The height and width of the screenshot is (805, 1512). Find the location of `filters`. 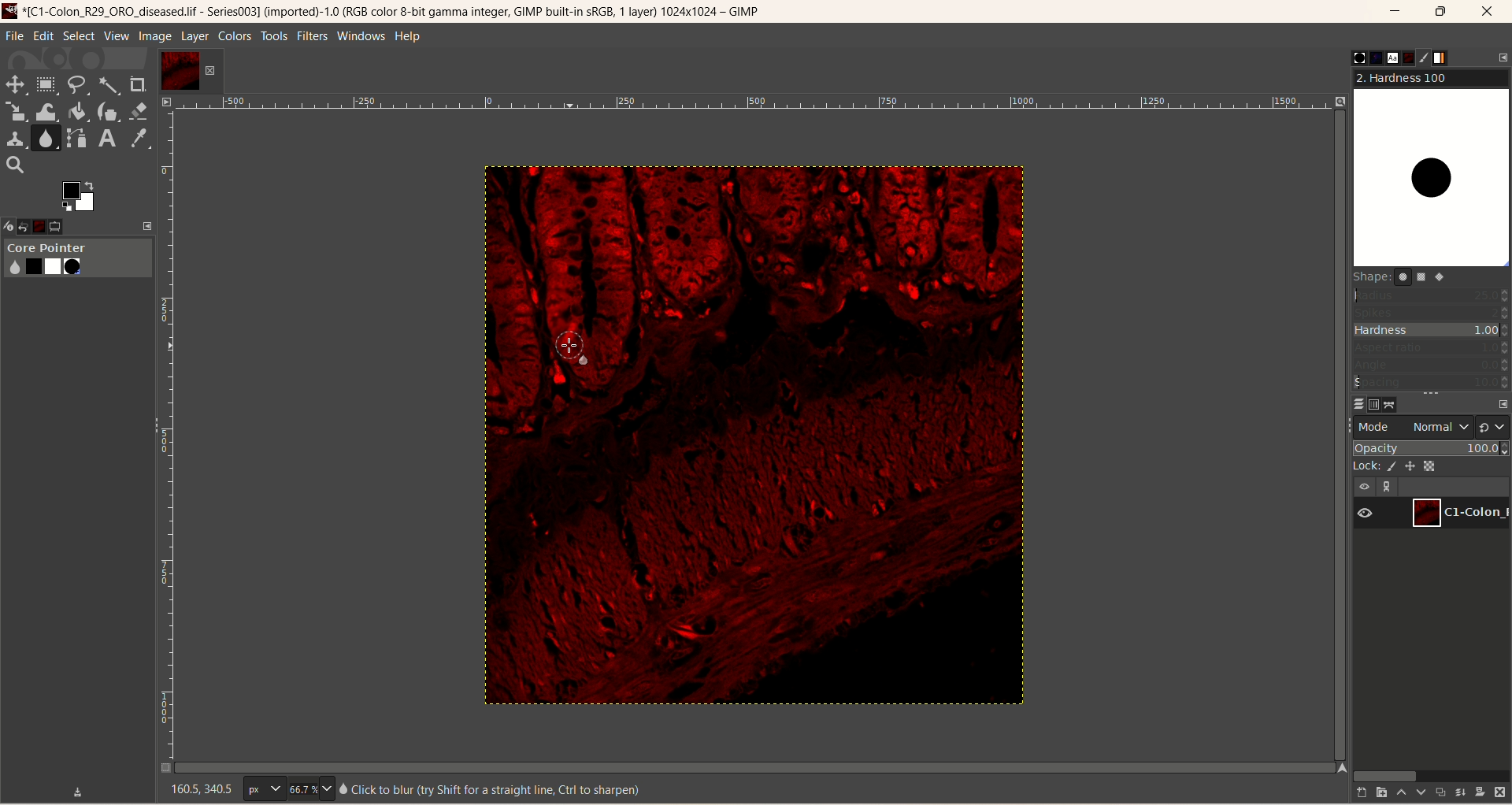

filters is located at coordinates (310, 35).